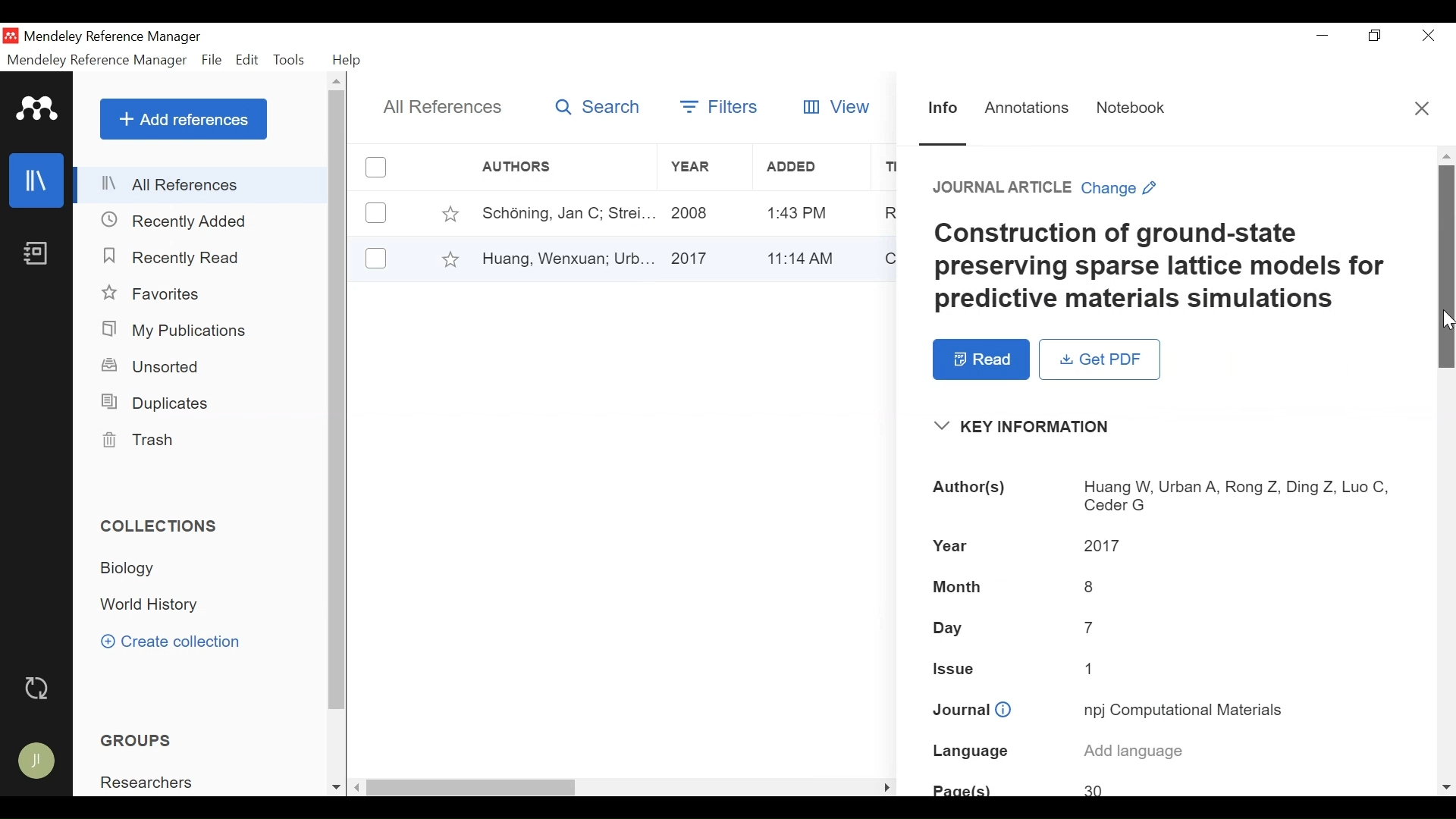 This screenshot has height=819, width=1456. What do you see at coordinates (36, 253) in the screenshot?
I see `Notebook` at bounding box center [36, 253].